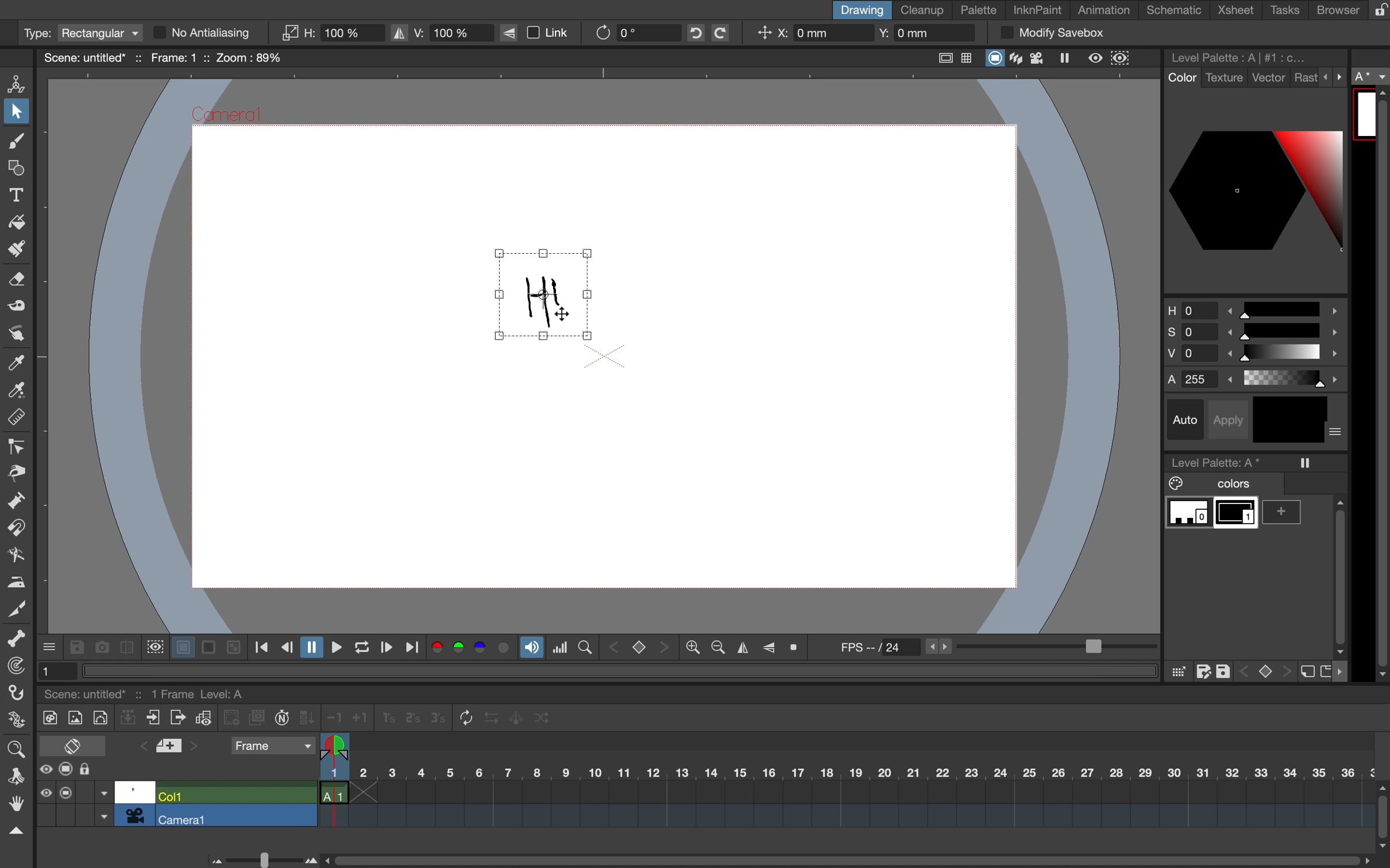 The image size is (1390, 868). What do you see at coordinates (638, 646) in the screenshot?
I see `switch between keys` at bounding box center [638, 646].